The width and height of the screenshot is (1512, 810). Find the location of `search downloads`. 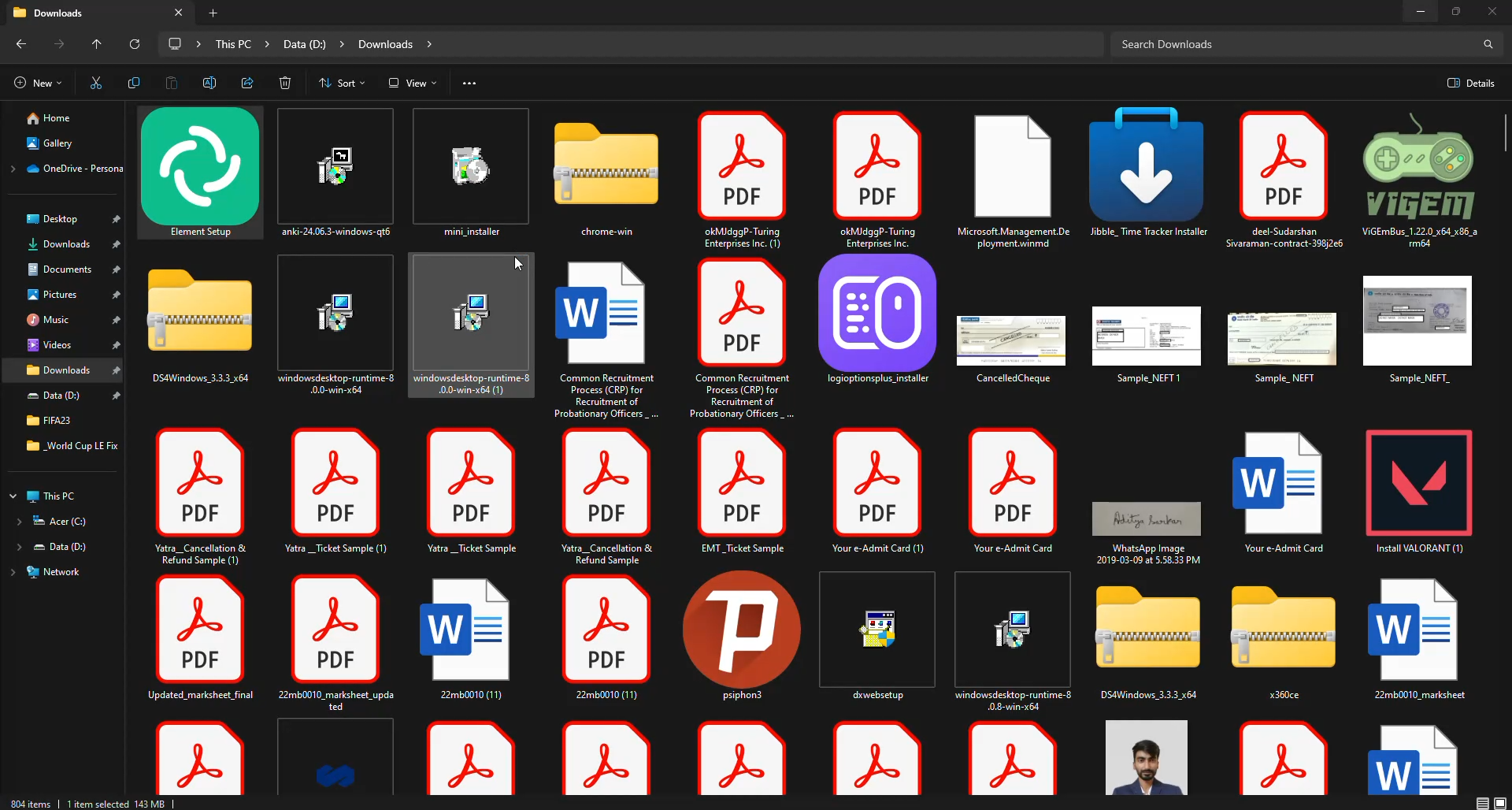

search downloads is located at coordinates (1302, 45).